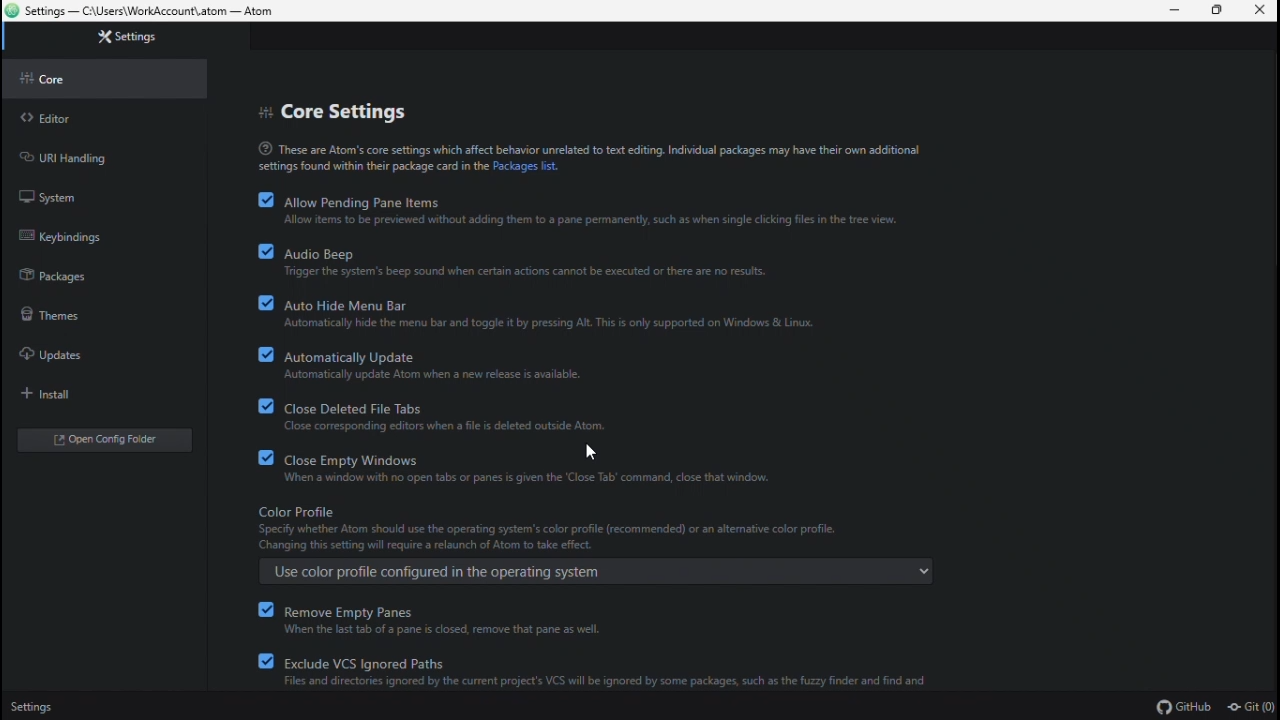 Image resolution: width=1280 pixels, height=720 pixels. Describe the element at coordinates (33, 706) in the screenshot. I see `Settings ` at that location.